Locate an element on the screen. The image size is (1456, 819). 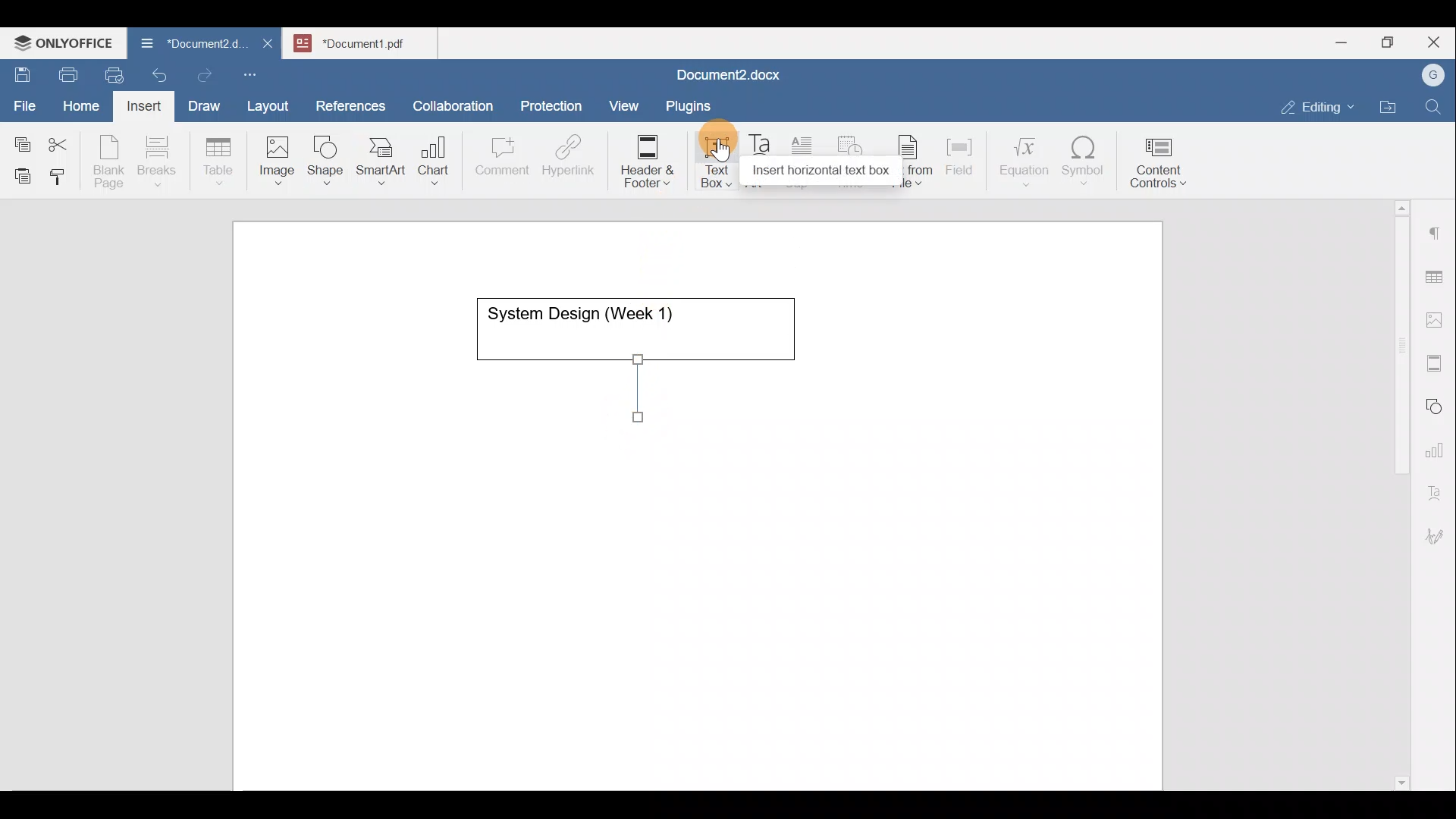
Customize quick access toolbar is located at coordinates (256, 72).